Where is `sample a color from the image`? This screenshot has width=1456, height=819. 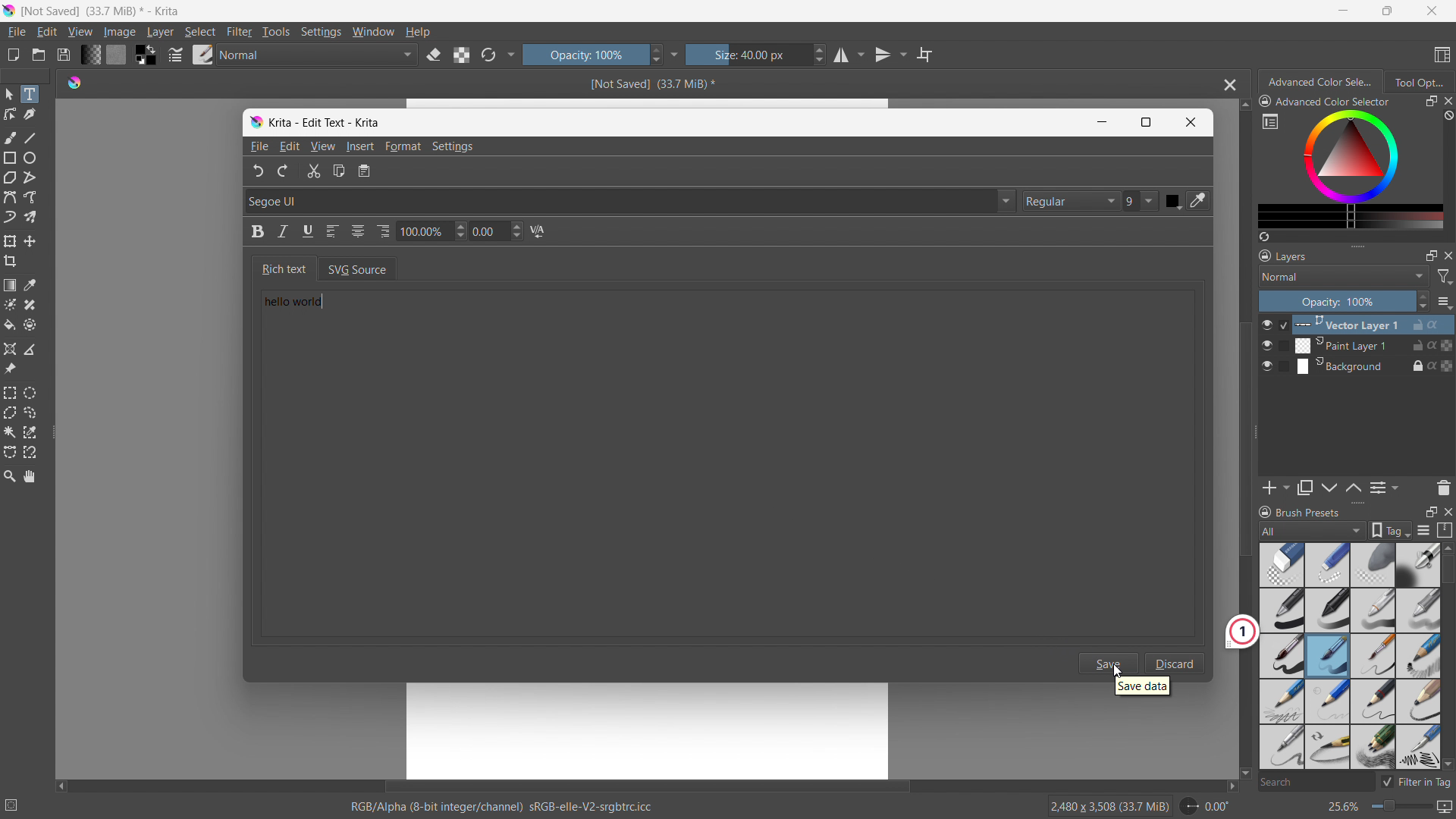
sample a color from the image is located at coordinates (30, 285).